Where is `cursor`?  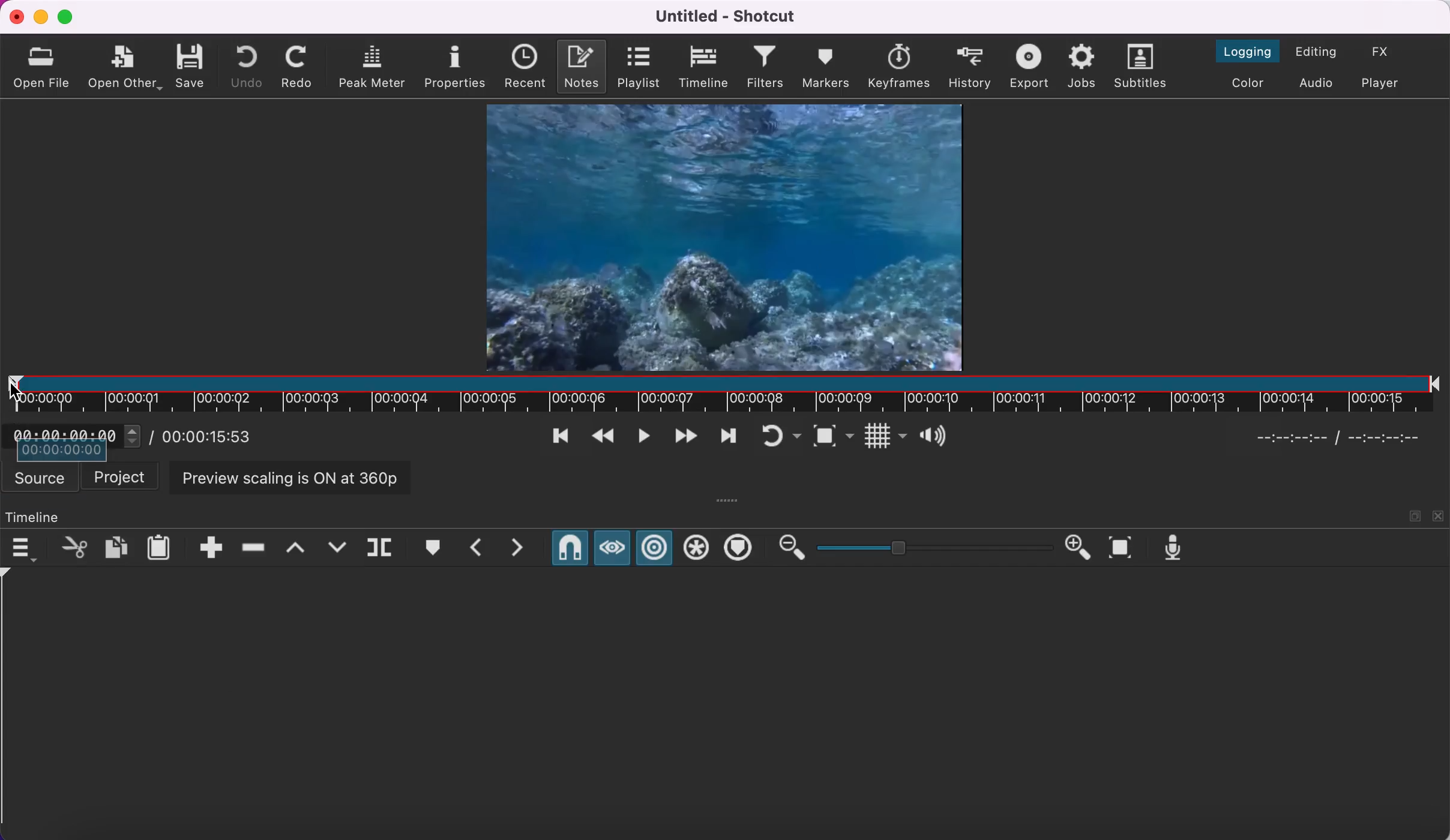
cursor is located at coordinates (17, 385).